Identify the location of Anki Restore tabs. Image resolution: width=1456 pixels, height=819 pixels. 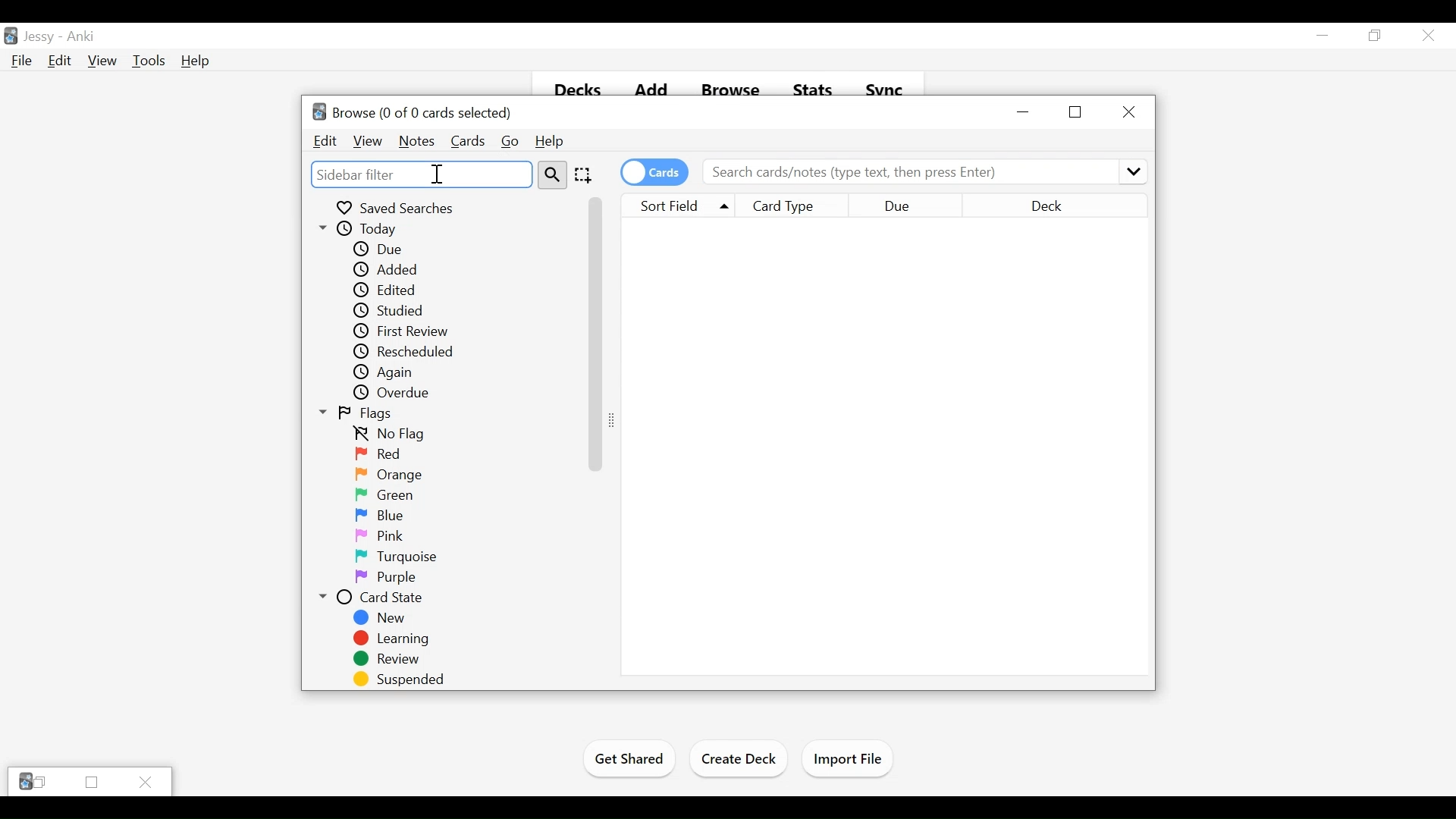
(33, 782).